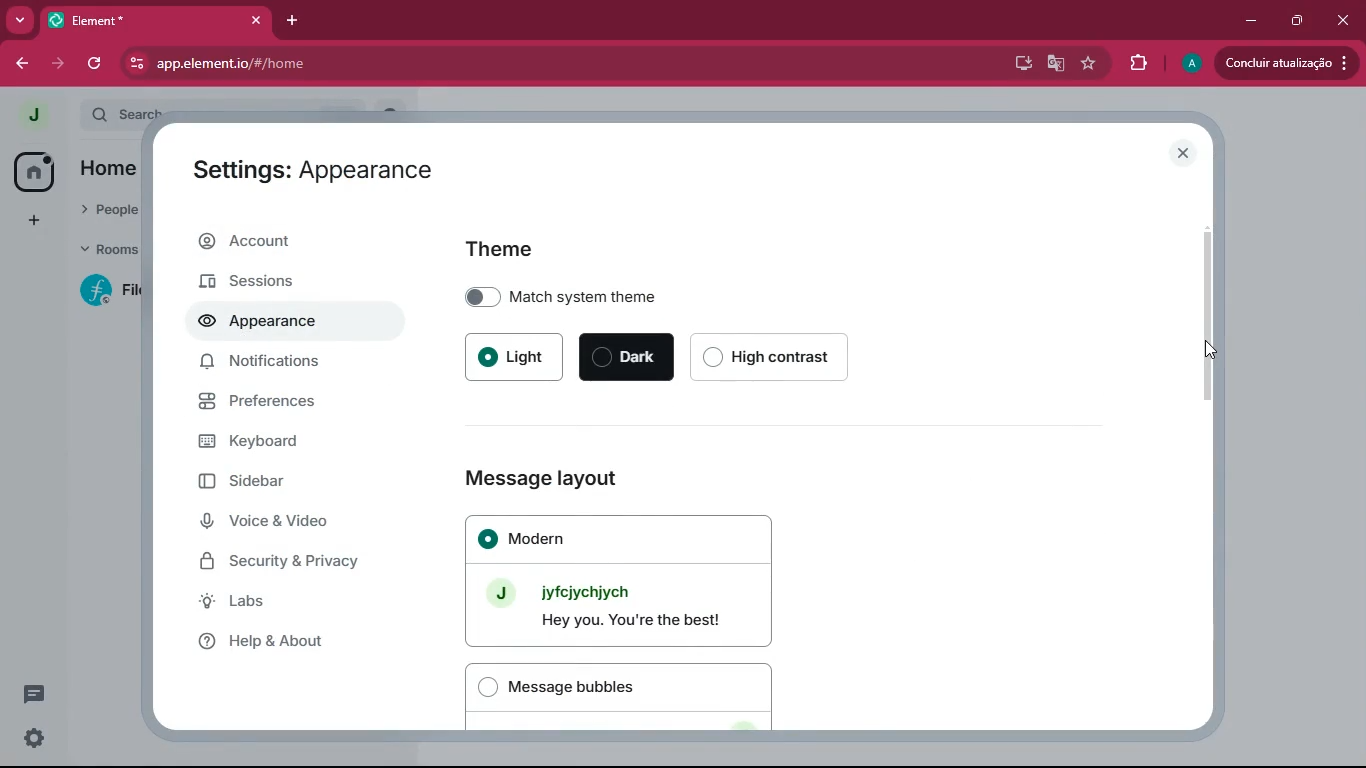  Describe the element at coordinates (34, 739) in the screenshot. I see `settings` at that location.